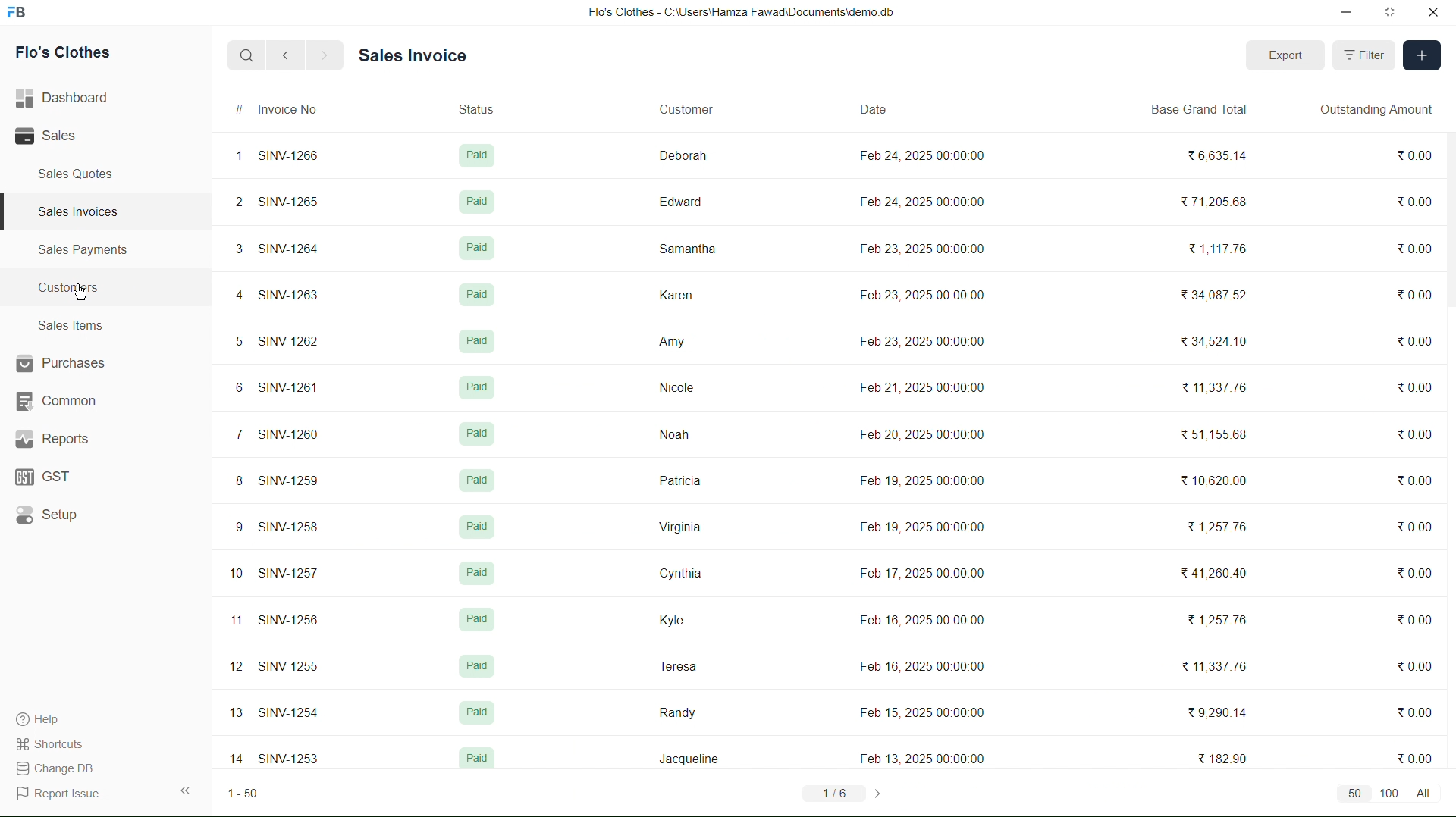 The image size is (1456, 817). I want to click on Sales invoice, so click(416, 54).